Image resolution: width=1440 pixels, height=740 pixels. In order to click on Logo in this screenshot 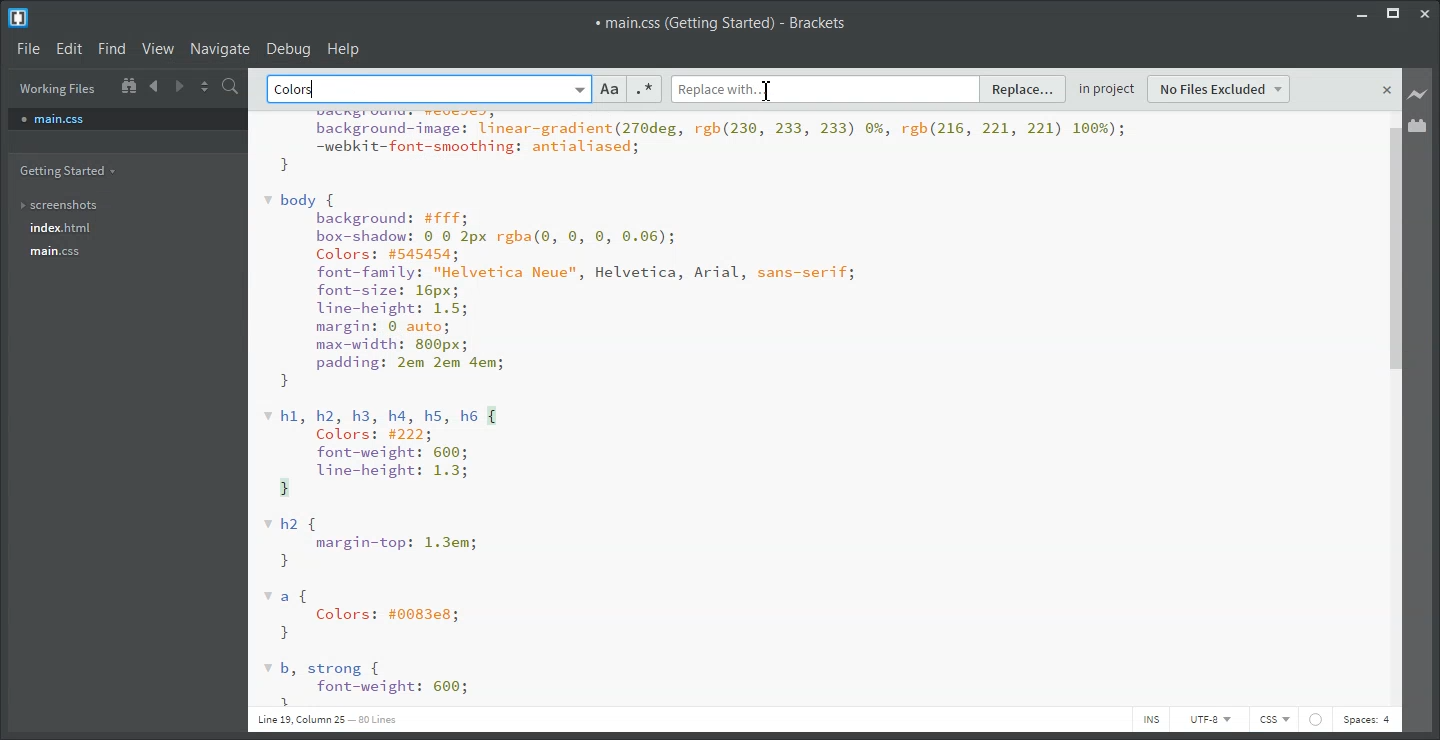, I will do `click(20, 17)`.